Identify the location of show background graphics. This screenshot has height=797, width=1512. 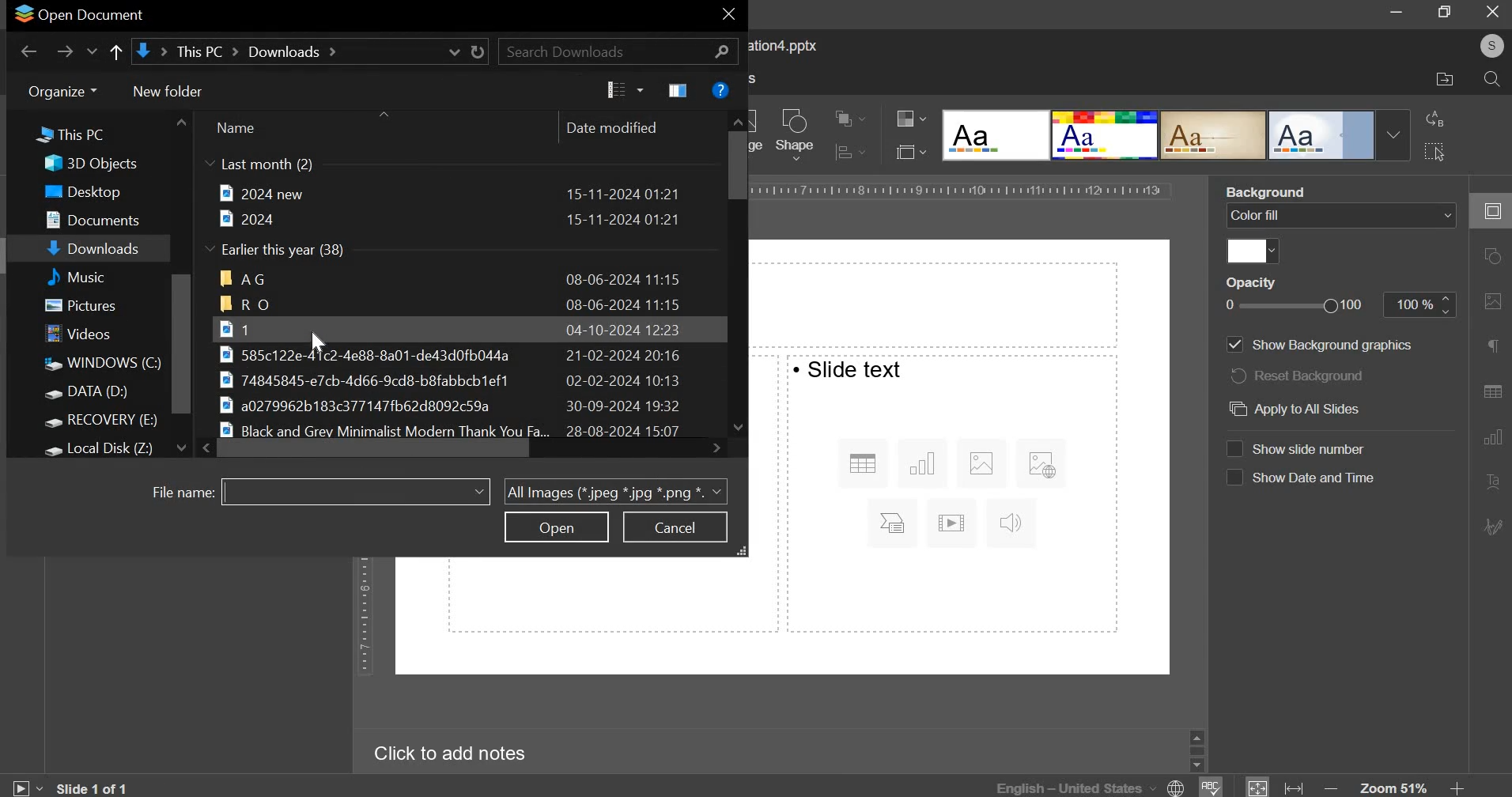
(1332, 346).